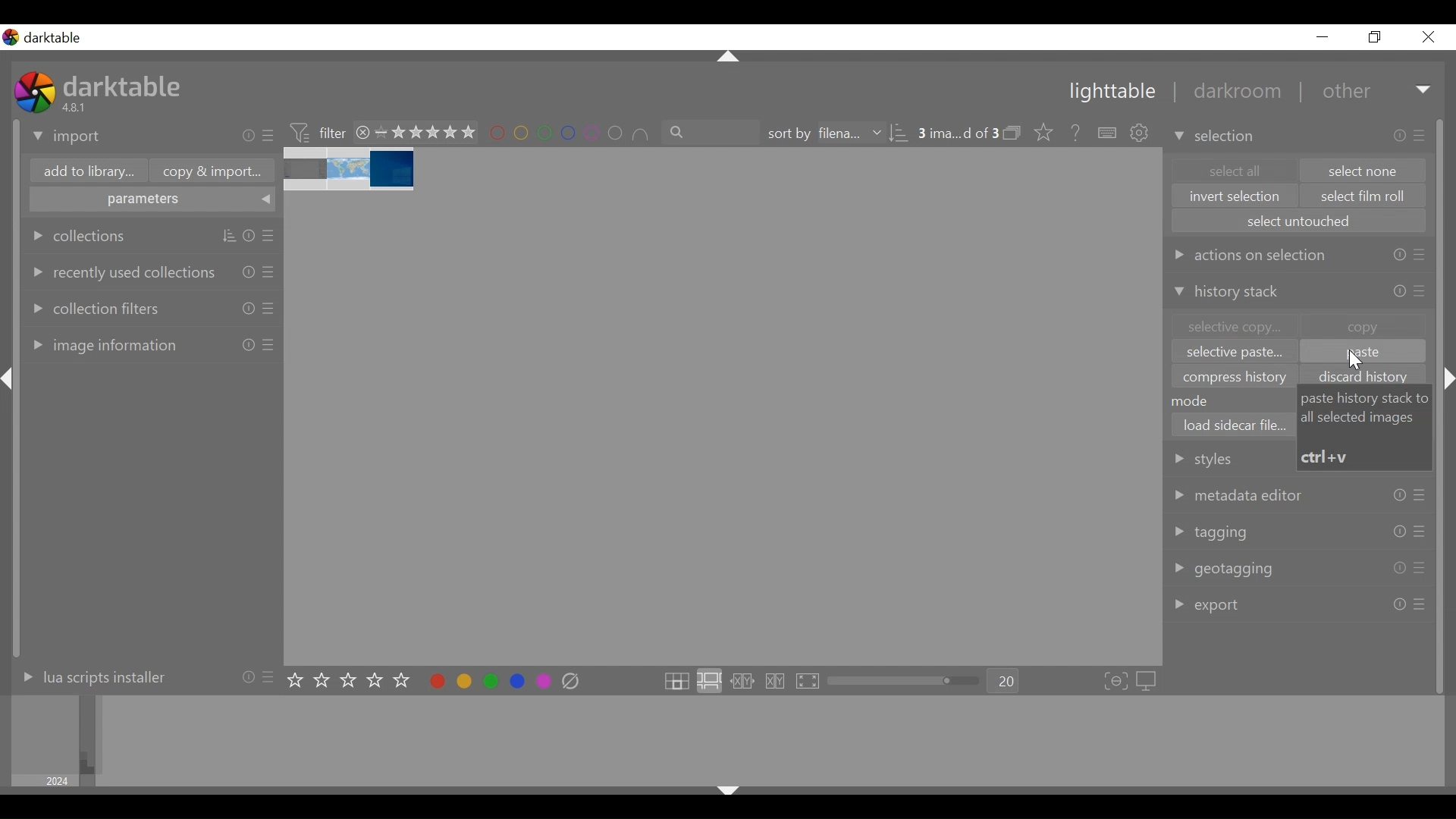  I want to click on close, so click(363, 132).